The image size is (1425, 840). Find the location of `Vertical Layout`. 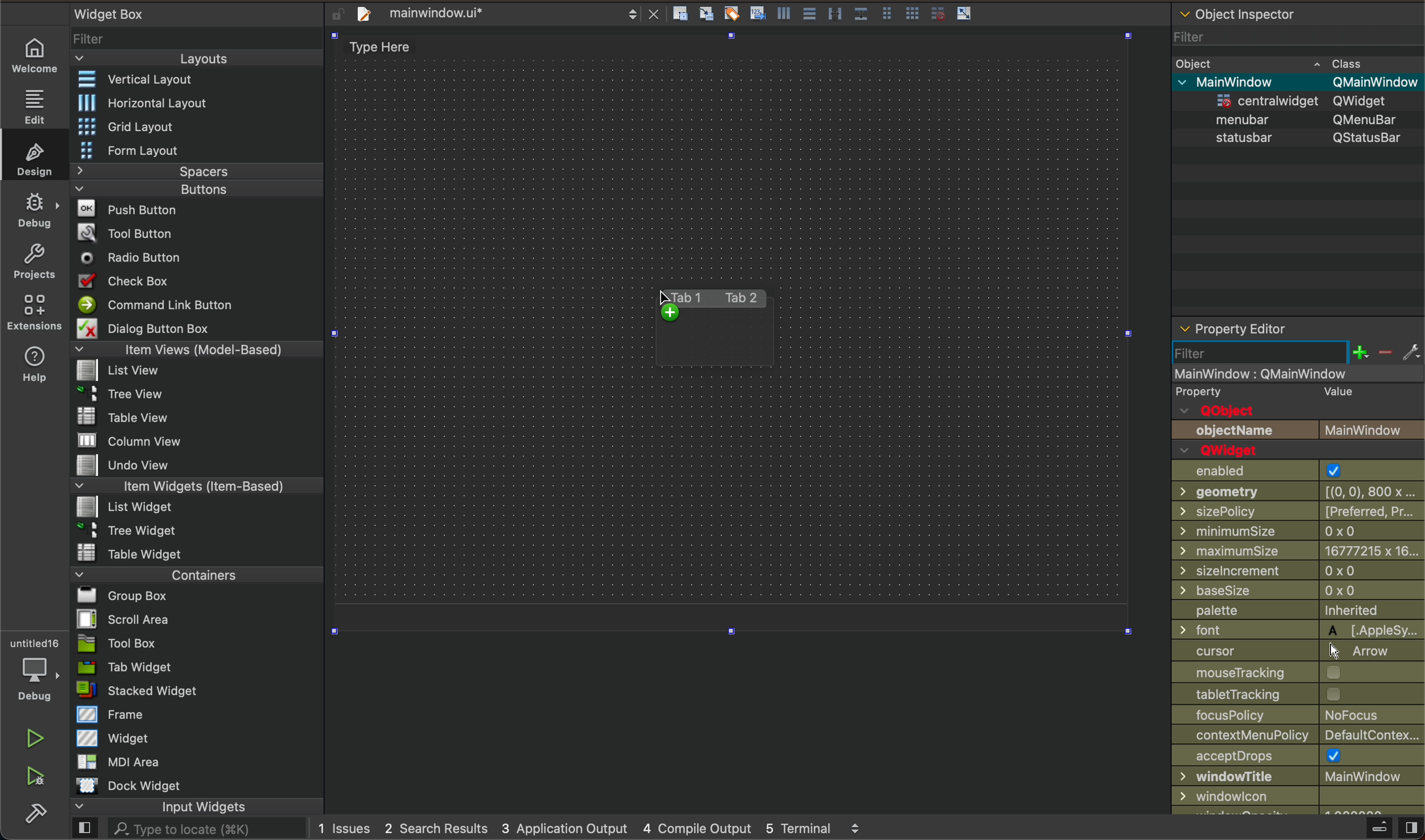

Vertical Layout is located at coordinates (132, 78).